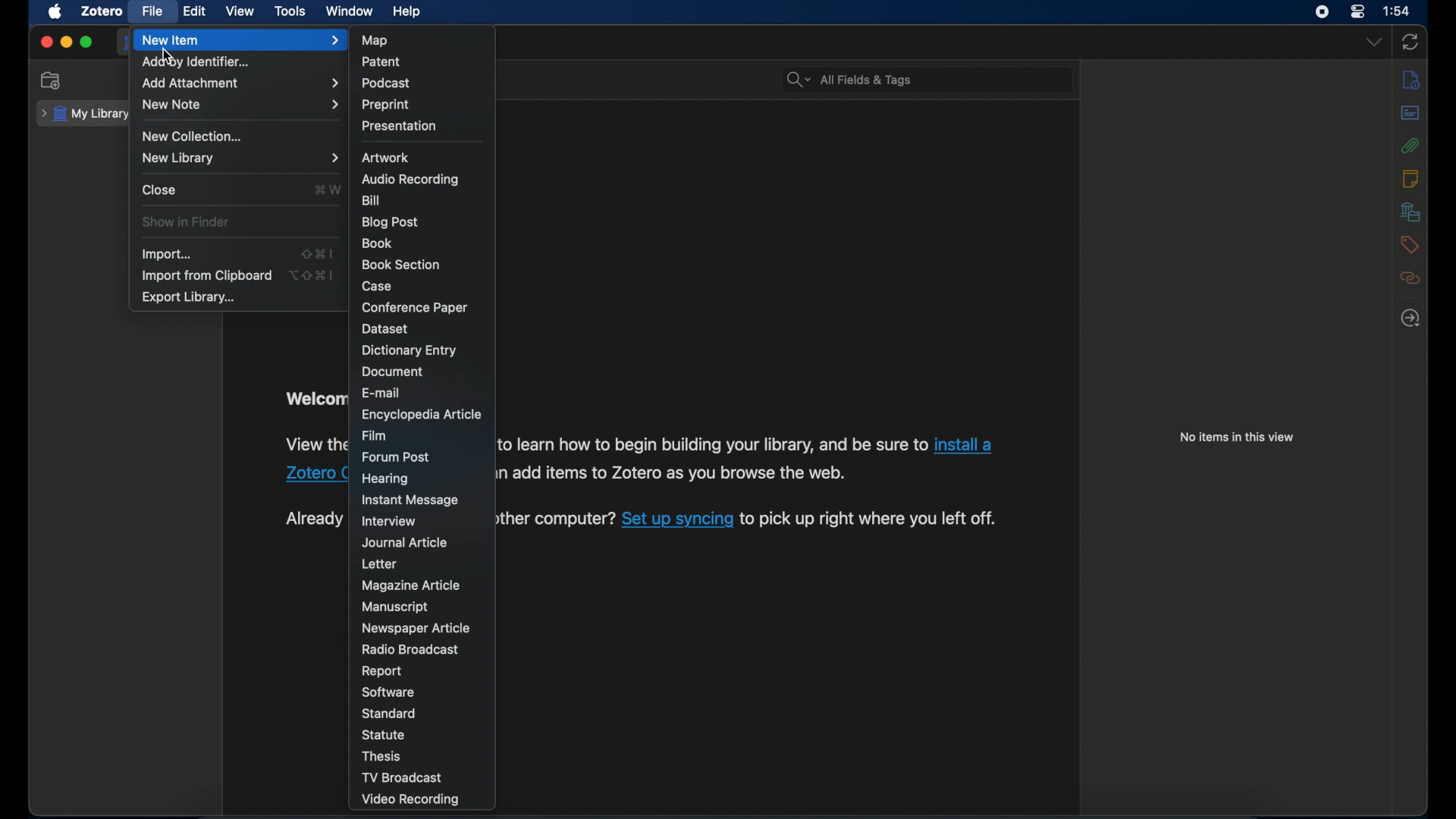 The image size is (1456, 819). Describe the element at coordinates (350, 11) in the screenshot. I see `window` at that location.